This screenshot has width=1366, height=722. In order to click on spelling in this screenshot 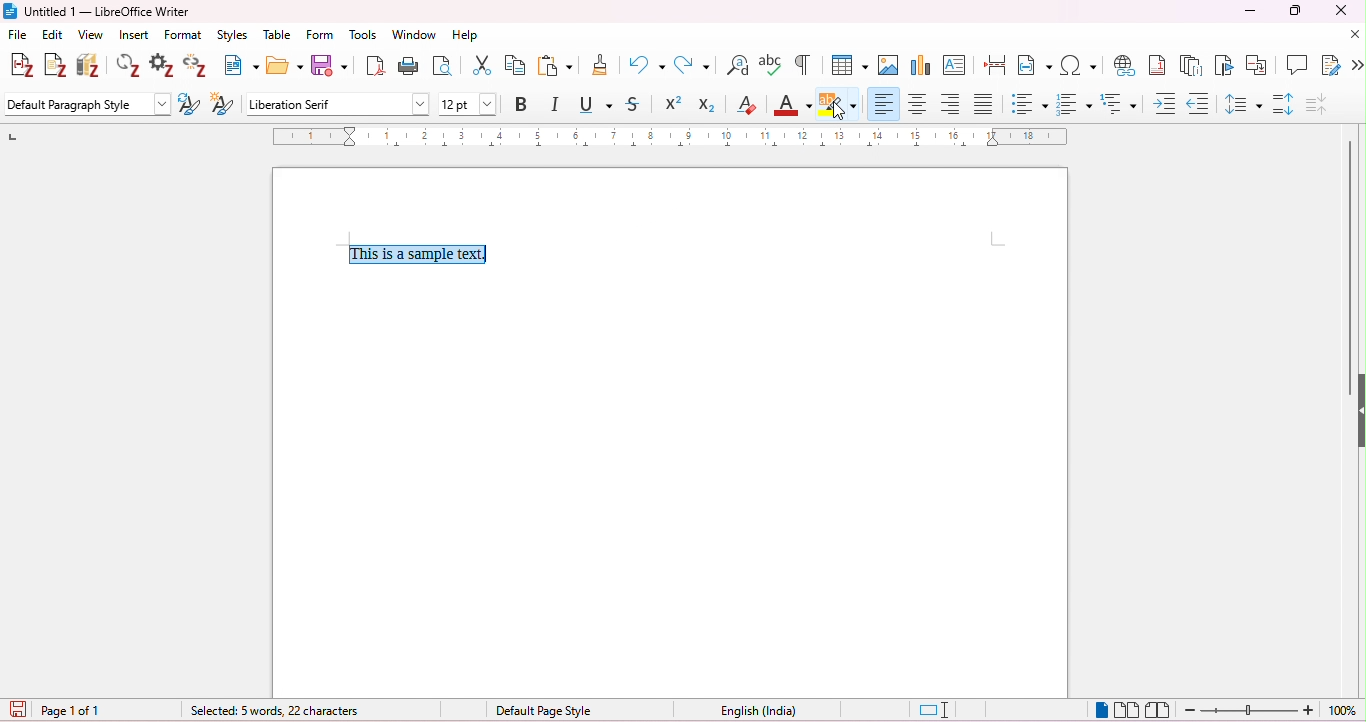, I will do `click(772, 63)`.